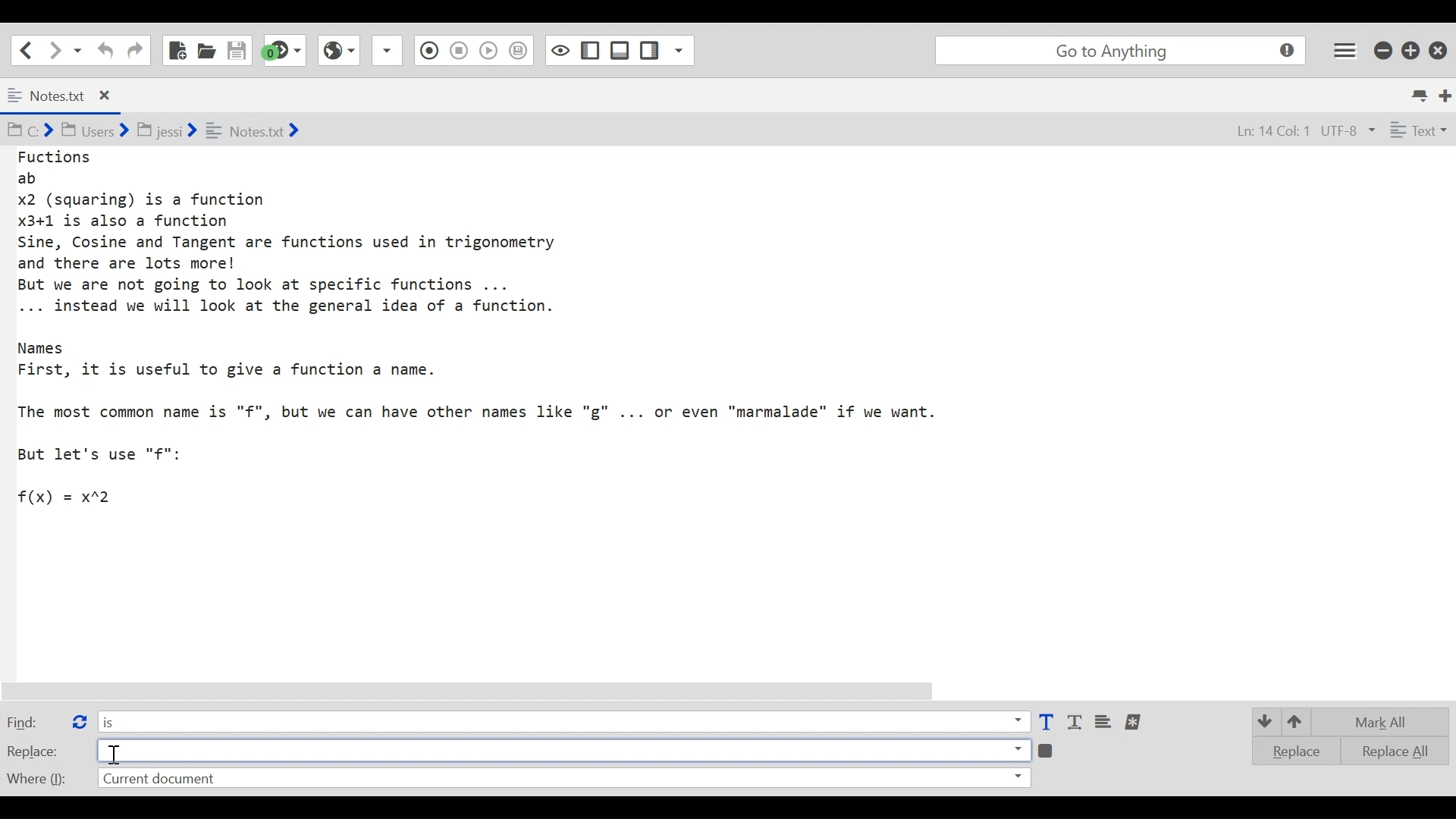  I want to click on Mark all, so click(1386, 722).